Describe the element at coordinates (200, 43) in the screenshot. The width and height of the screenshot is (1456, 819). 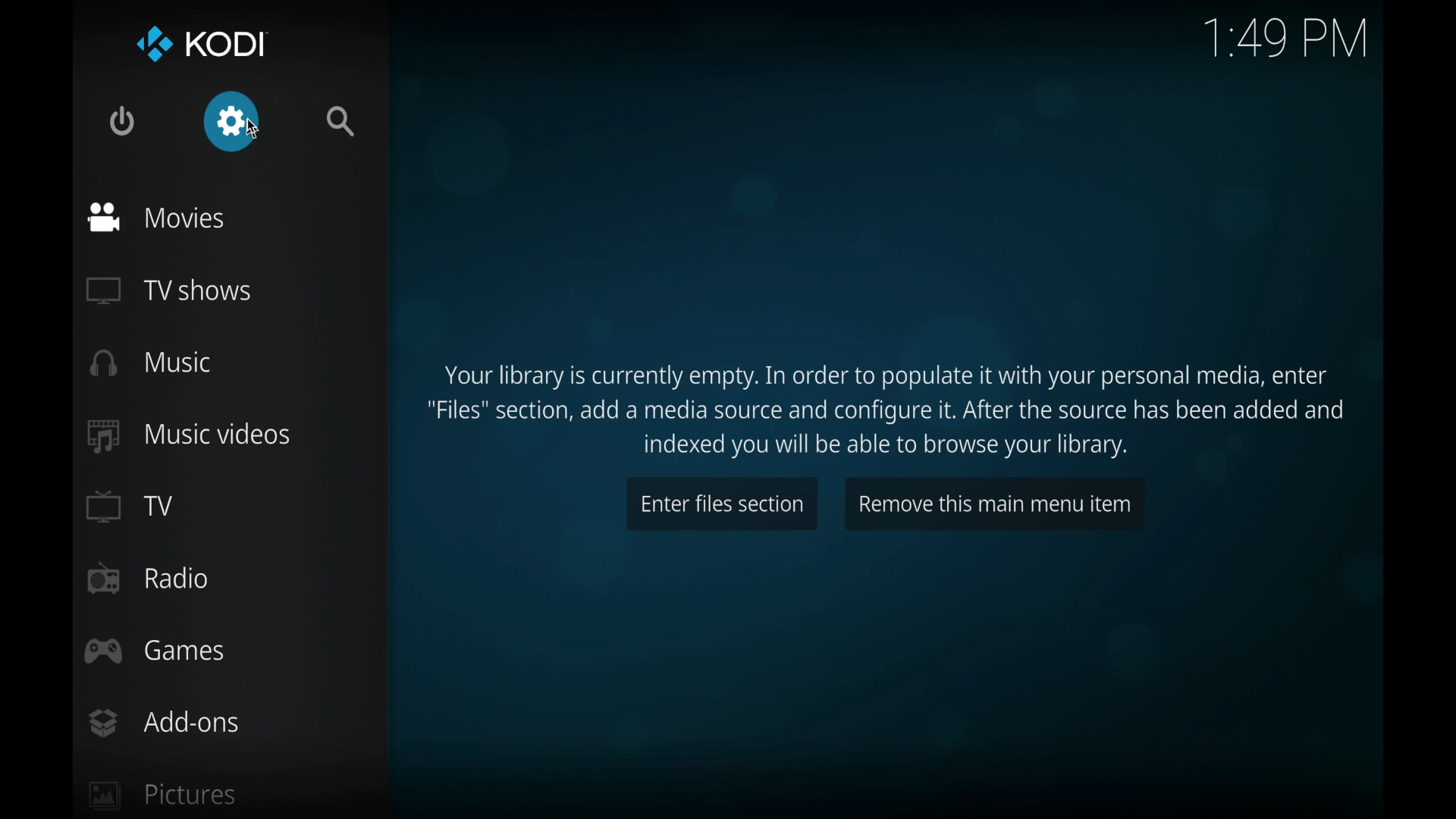
I see `kodi` at that location.